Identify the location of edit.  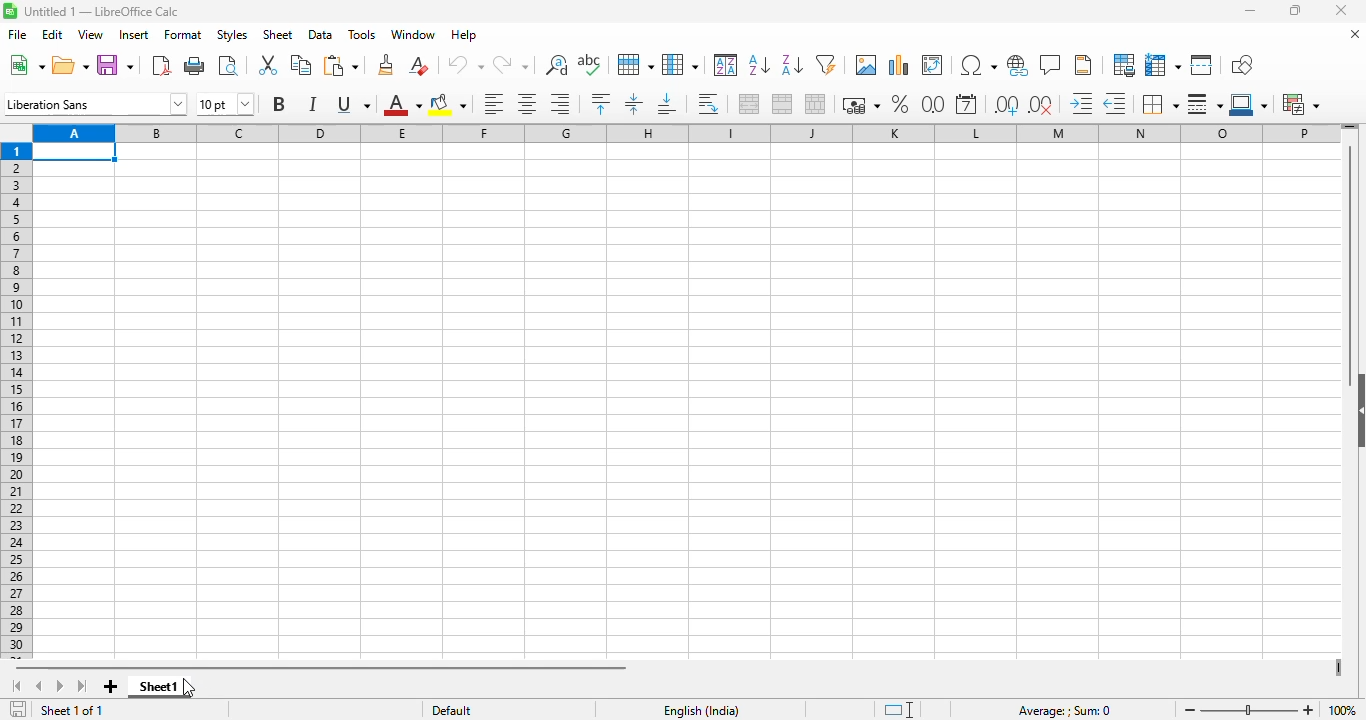
(53, 34).